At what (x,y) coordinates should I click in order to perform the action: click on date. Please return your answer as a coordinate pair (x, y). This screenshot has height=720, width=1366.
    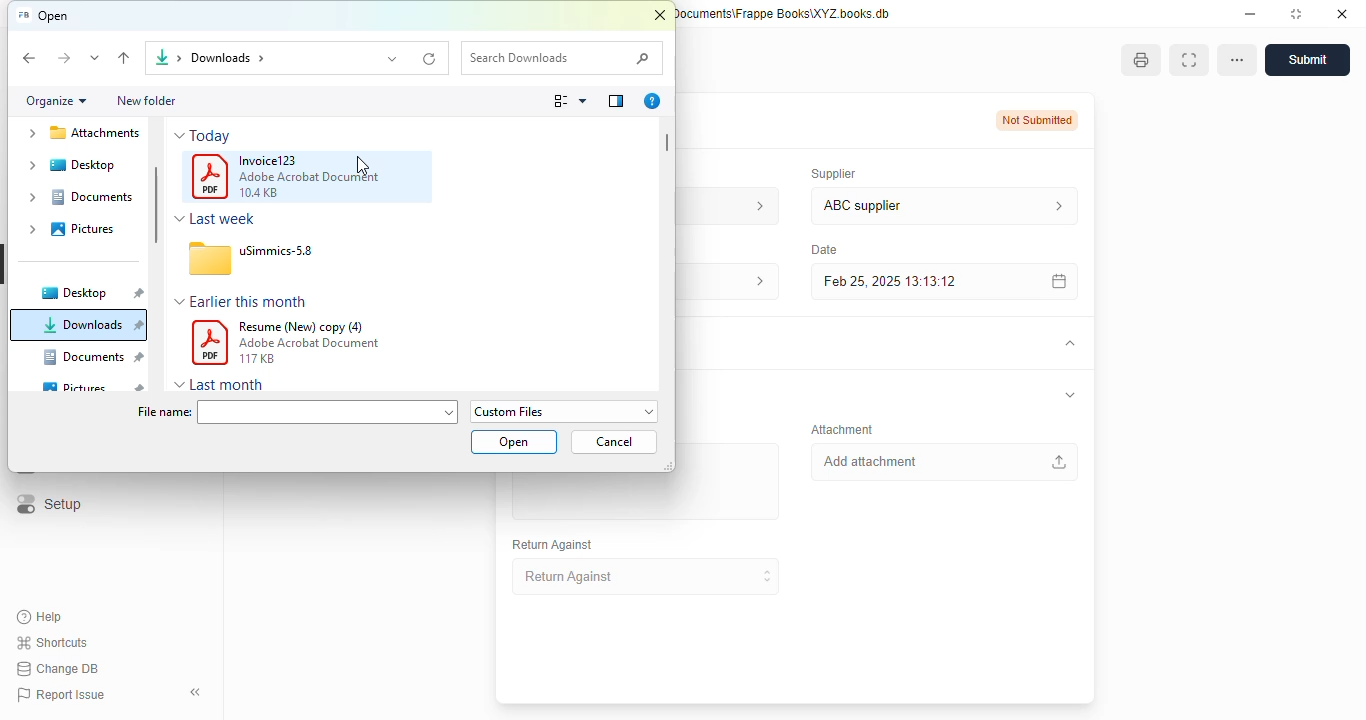
    Looking at the image, I should click on (822, 249).